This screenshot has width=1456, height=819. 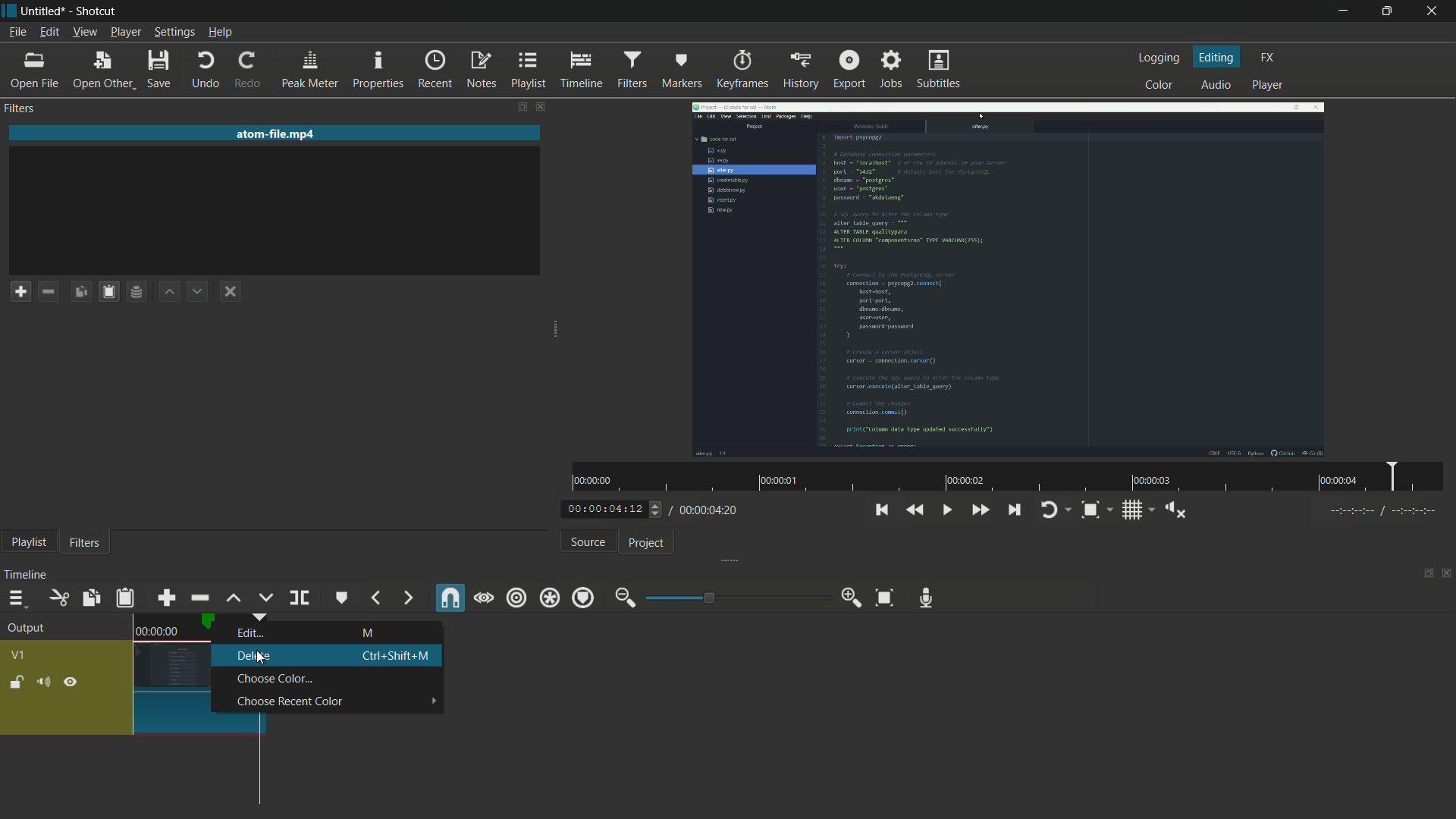 What do you see at coordinates (27, 629) in the screenshot?
I see `output` at bounding box center [27, 629].